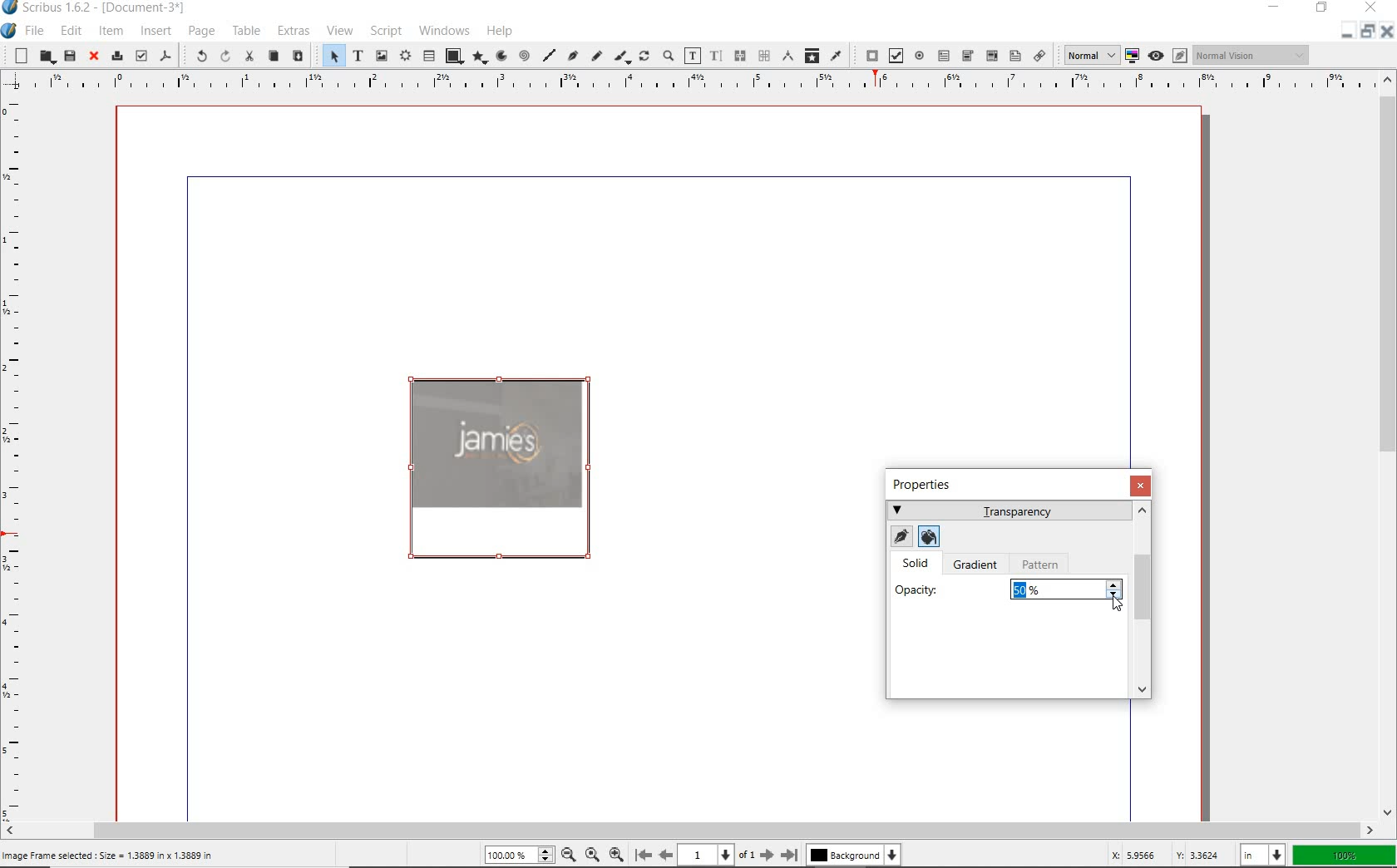  Describe the element at coordinates (140, 55) in the screenshot. I see `preflight verifier` at that location.